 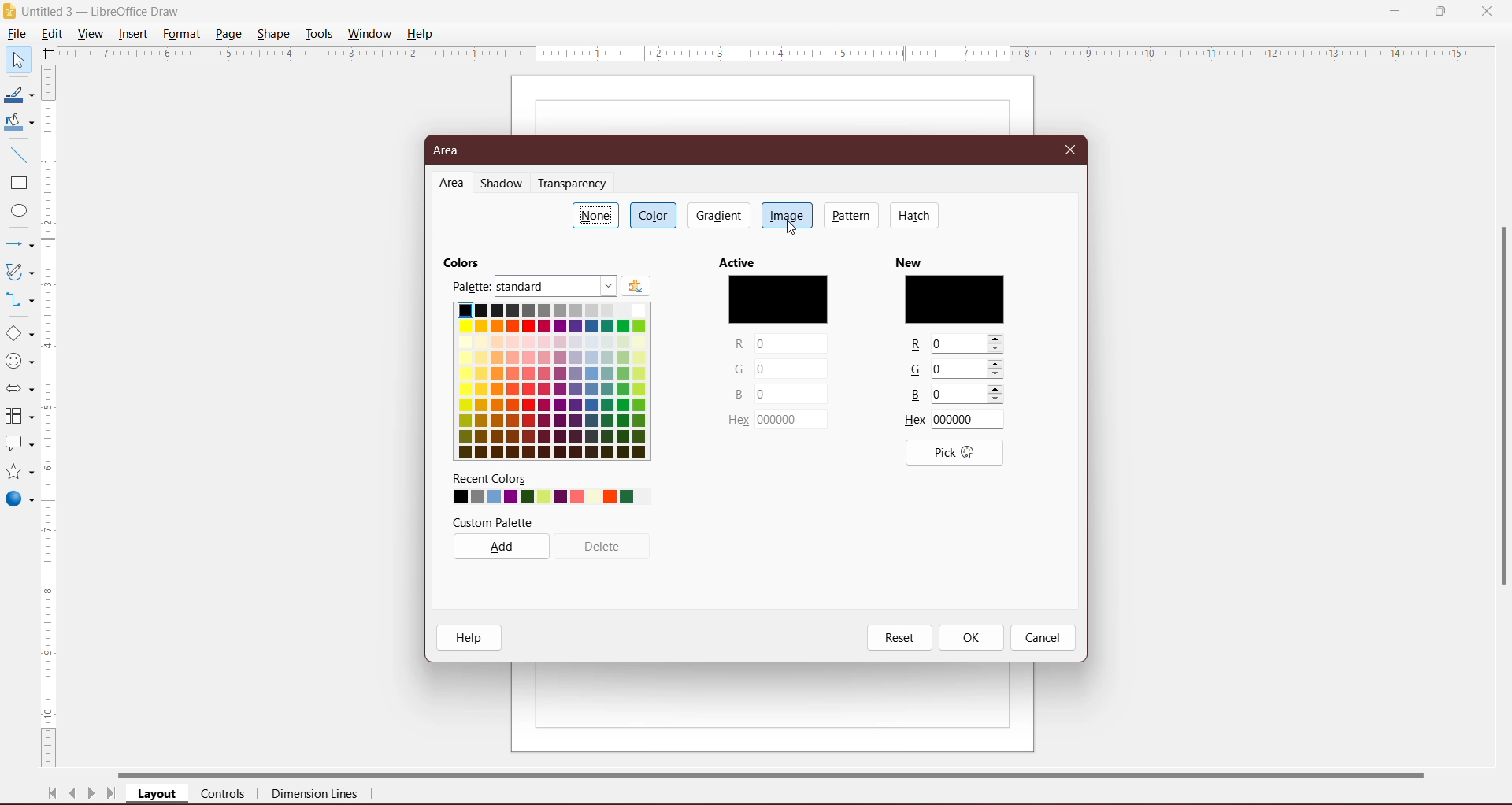 I want to click on 3D objects, so click(x=19, y=501).